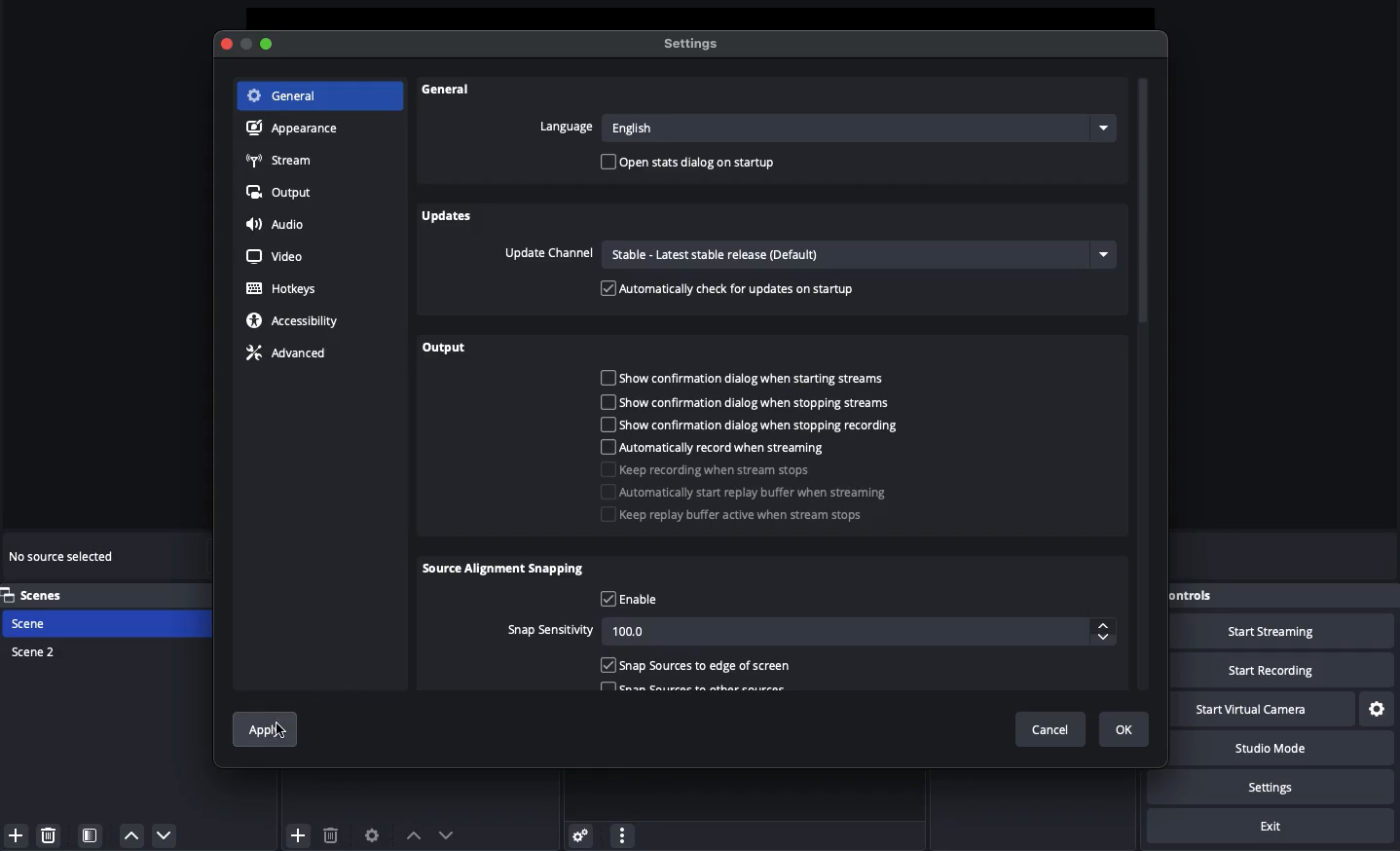  Describe the element at coordinates (52, 834) in the screenshot. I see `Delete` at that location.